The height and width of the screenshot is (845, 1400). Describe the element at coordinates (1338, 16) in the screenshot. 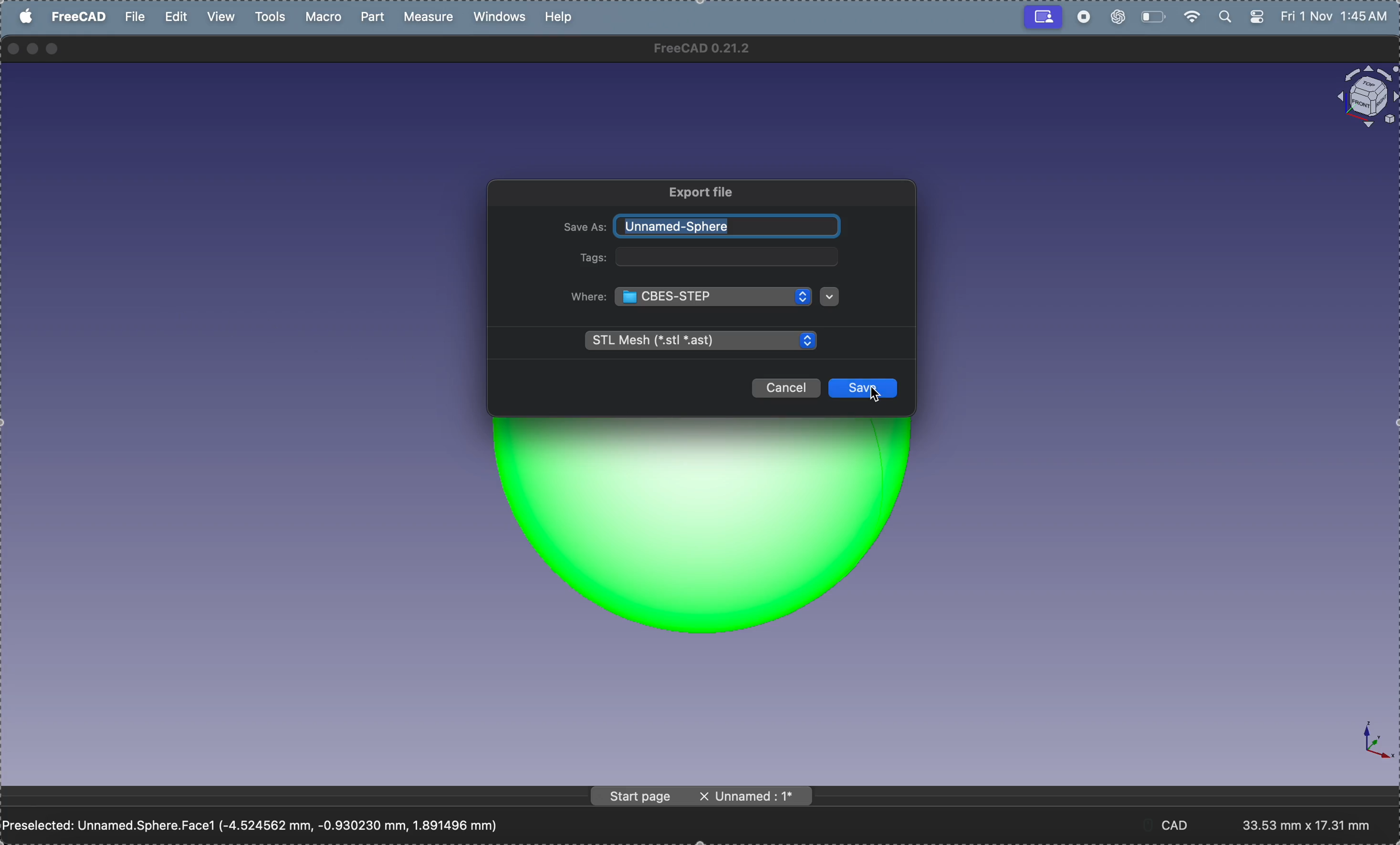

I see `time and date` at that location.